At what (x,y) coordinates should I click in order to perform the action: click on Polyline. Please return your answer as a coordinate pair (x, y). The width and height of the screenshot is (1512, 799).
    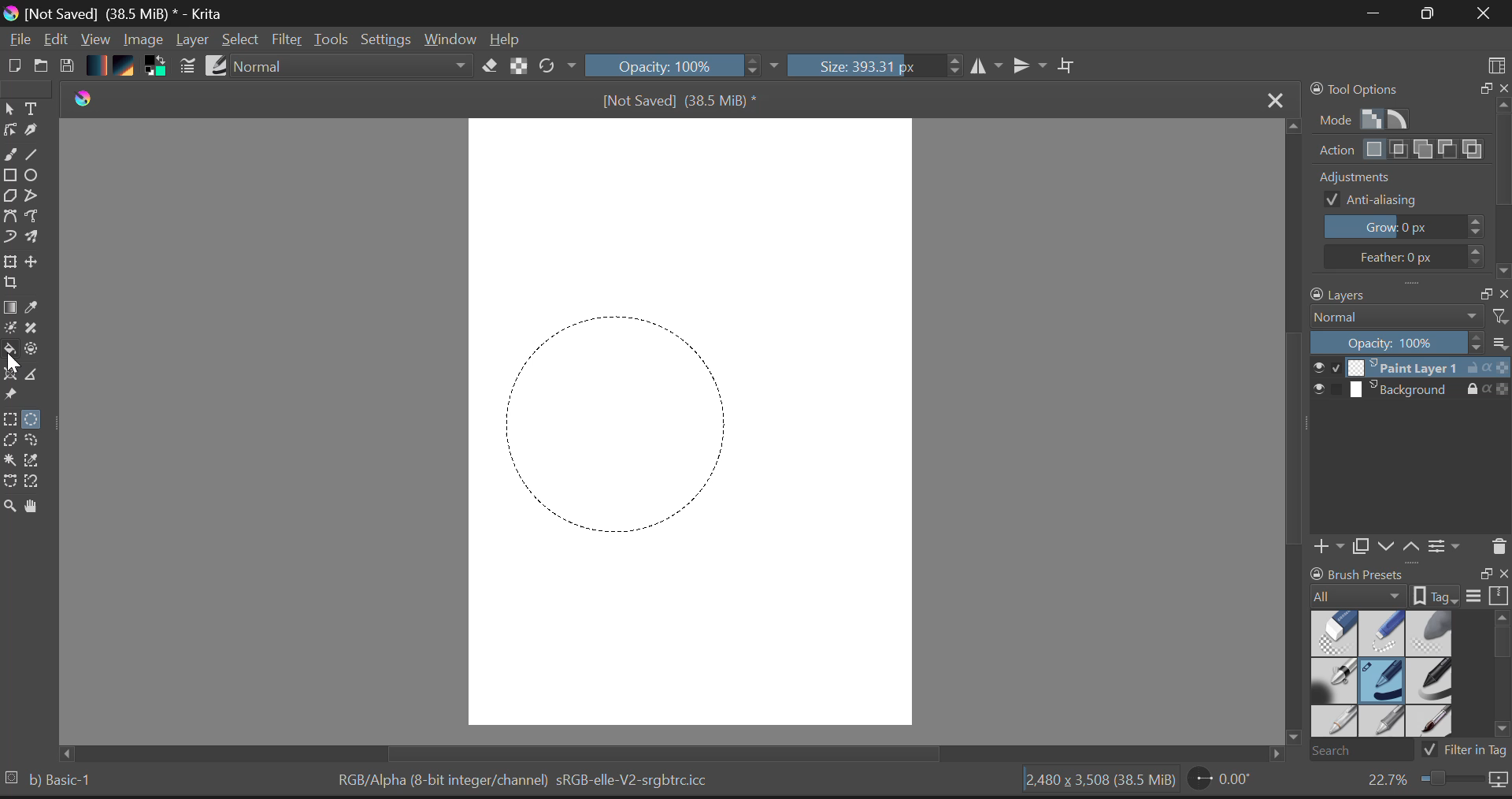
    Looking at the image, I should click on (35, 199).